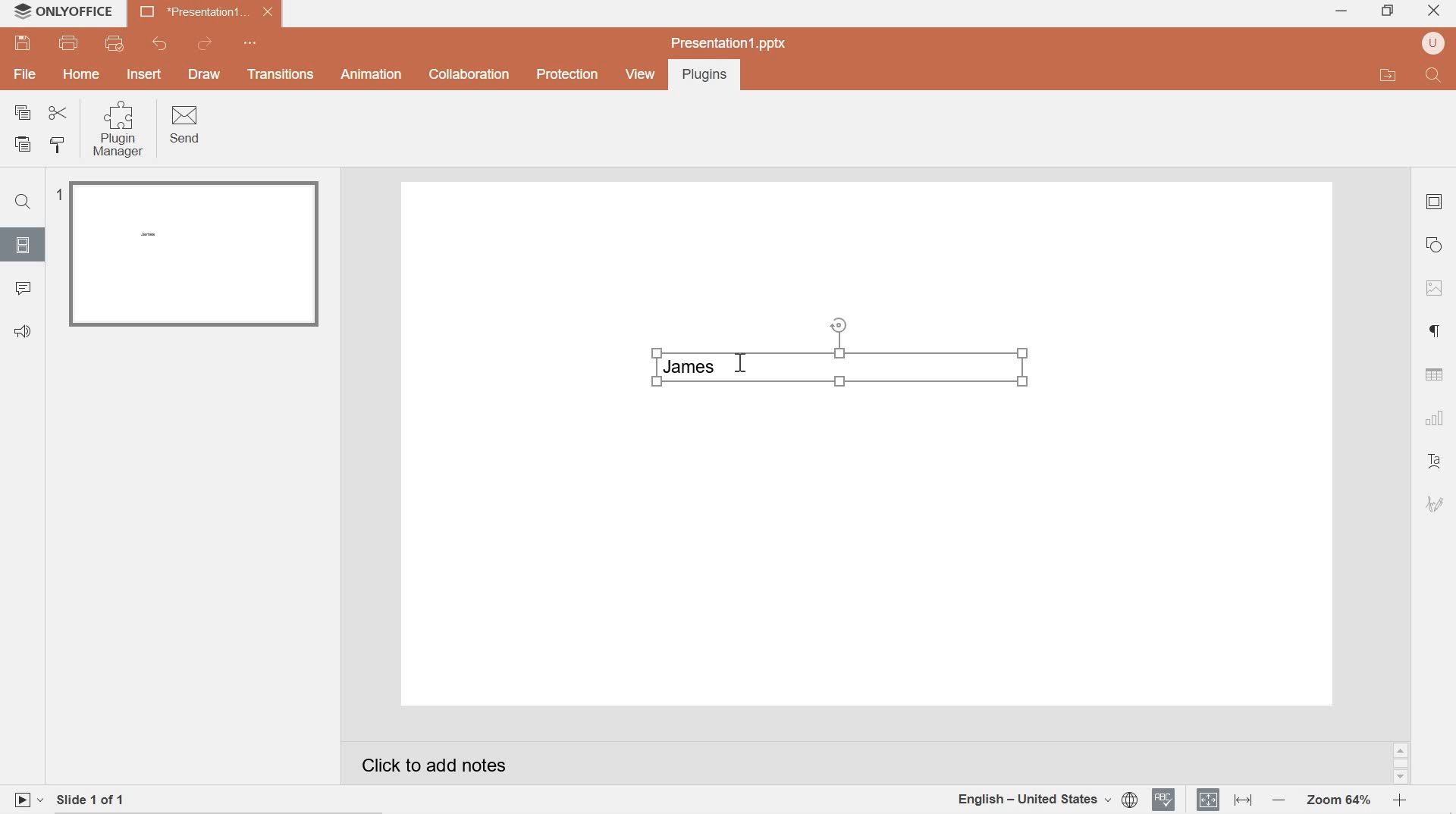 The width and height of the screenshot is (1456, 814). Describe the element at coordinates (1337, 800) in the screenshot. I see `Zoom 64%` at that location.